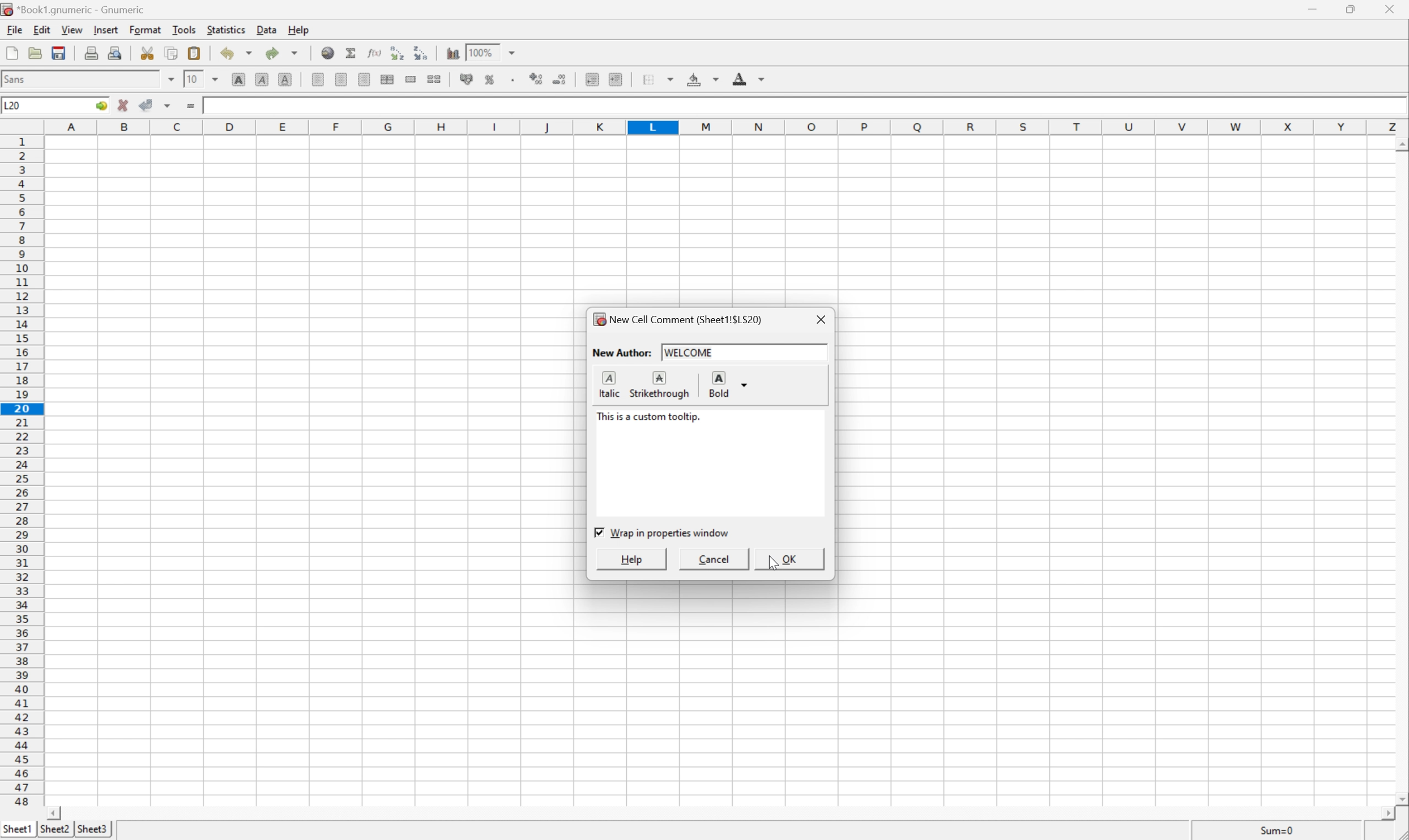 The height and width of the screenshot is (840, 1409). What do you see at coordinates (616, 79) in the screenshot?
I see `Increase indent, and align the contents to the left` at bounding box center [616, 79].